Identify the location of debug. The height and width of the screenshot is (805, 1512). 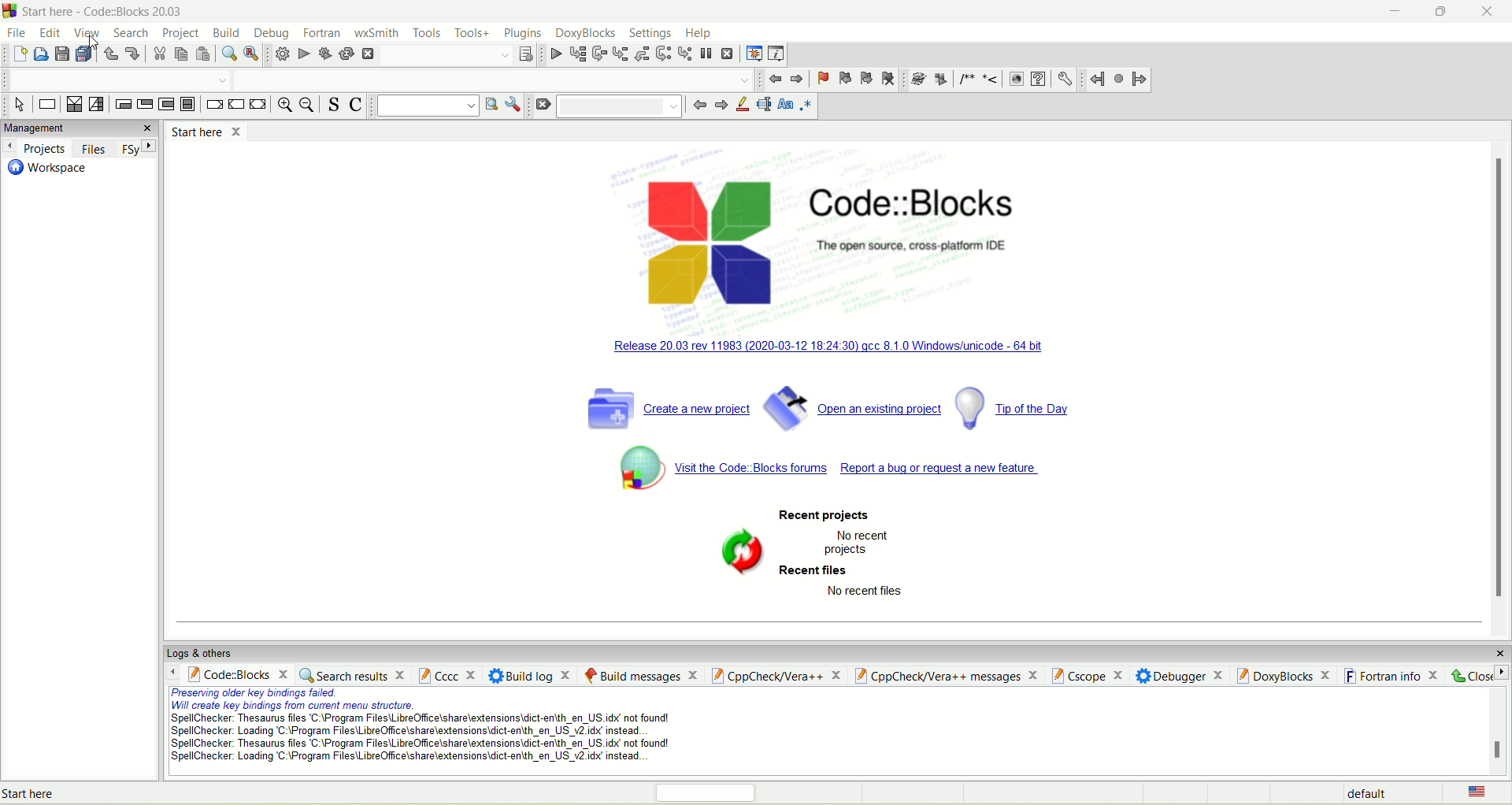
(553, 54).